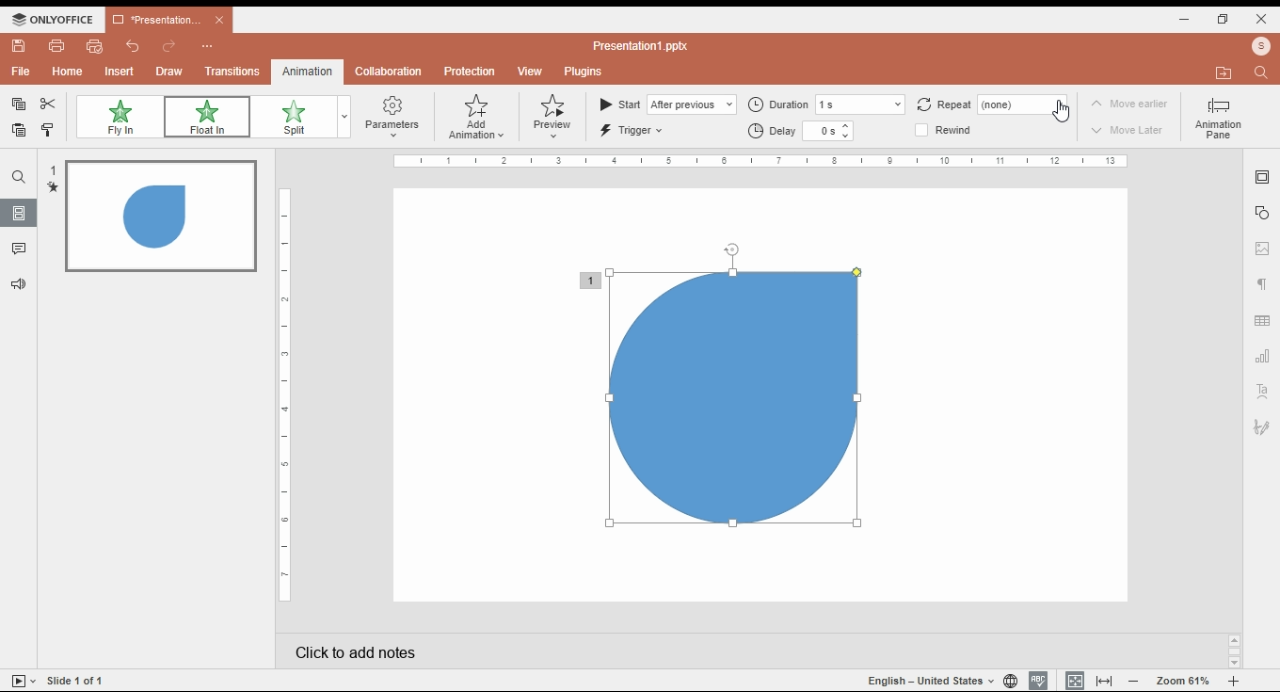 The width and height of the screenshot is (1280, 692). I want to click on cut, so click(50, 104).